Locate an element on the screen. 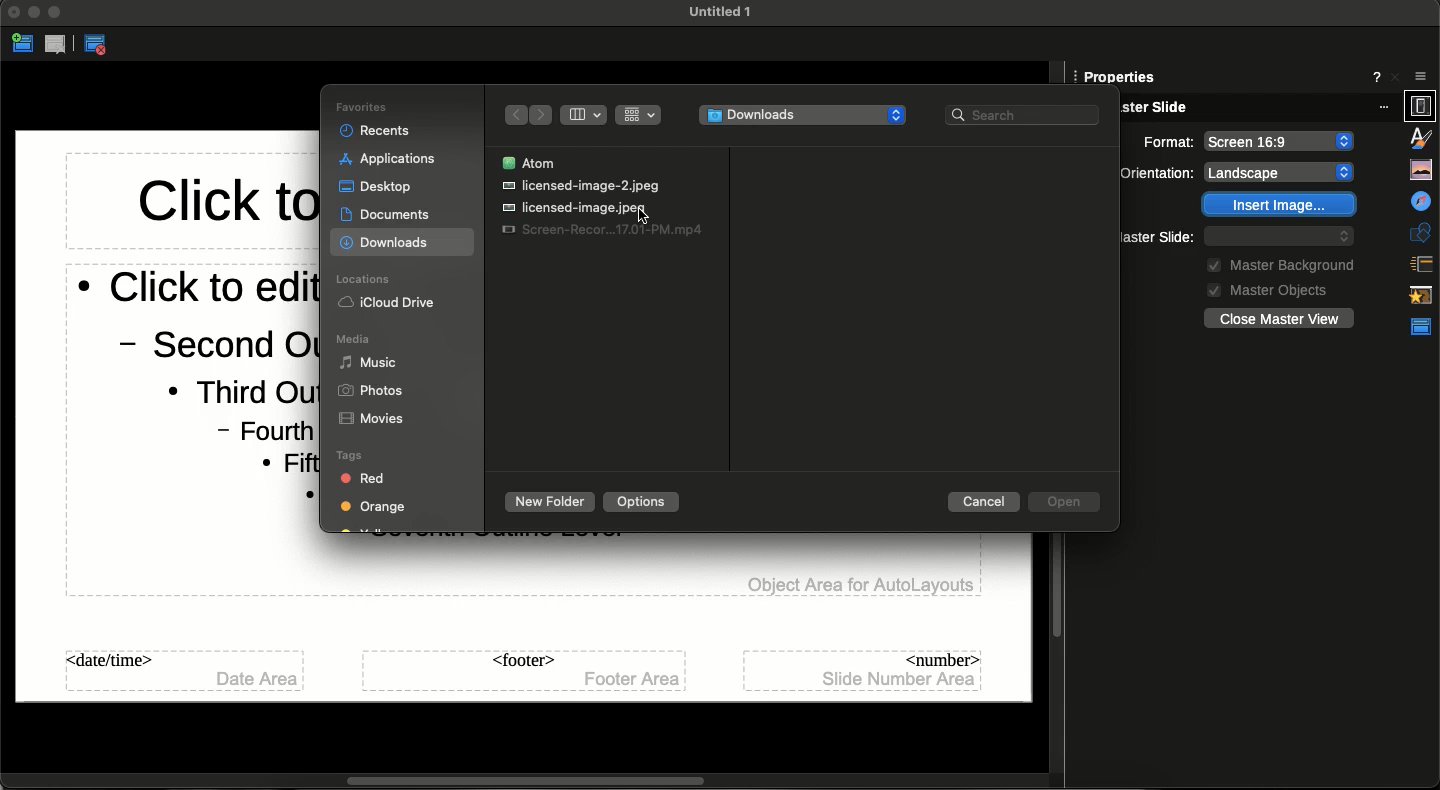 This screenshot has height=790, width=1440. Documents is located at coordinates (391, 214).